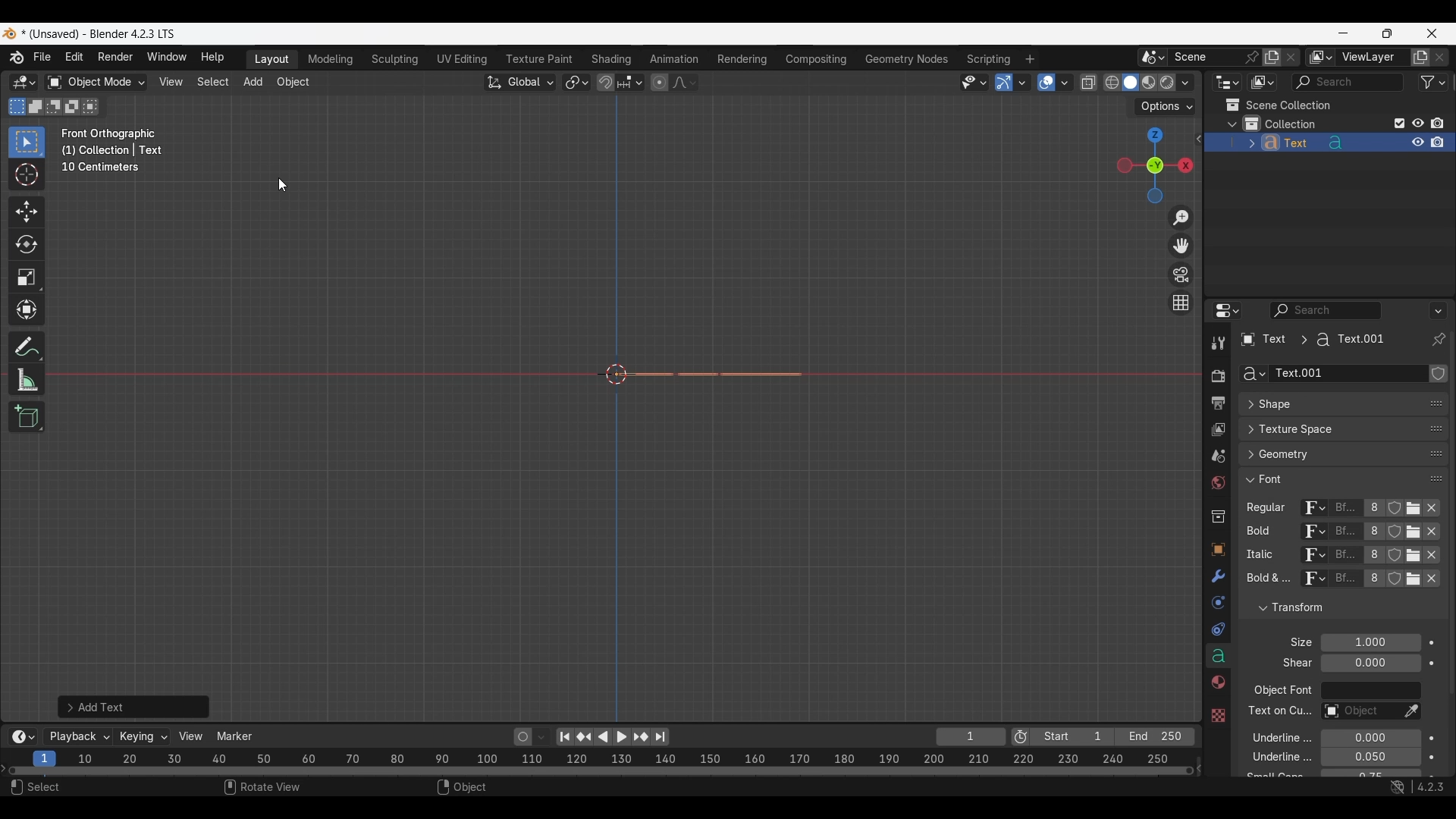 The height and width of the screenshot is (819, 1456). What do you see at coordinates (1029, 59) in the screenshot?
I see `Add workspace` at bounding box center [1029, 59].